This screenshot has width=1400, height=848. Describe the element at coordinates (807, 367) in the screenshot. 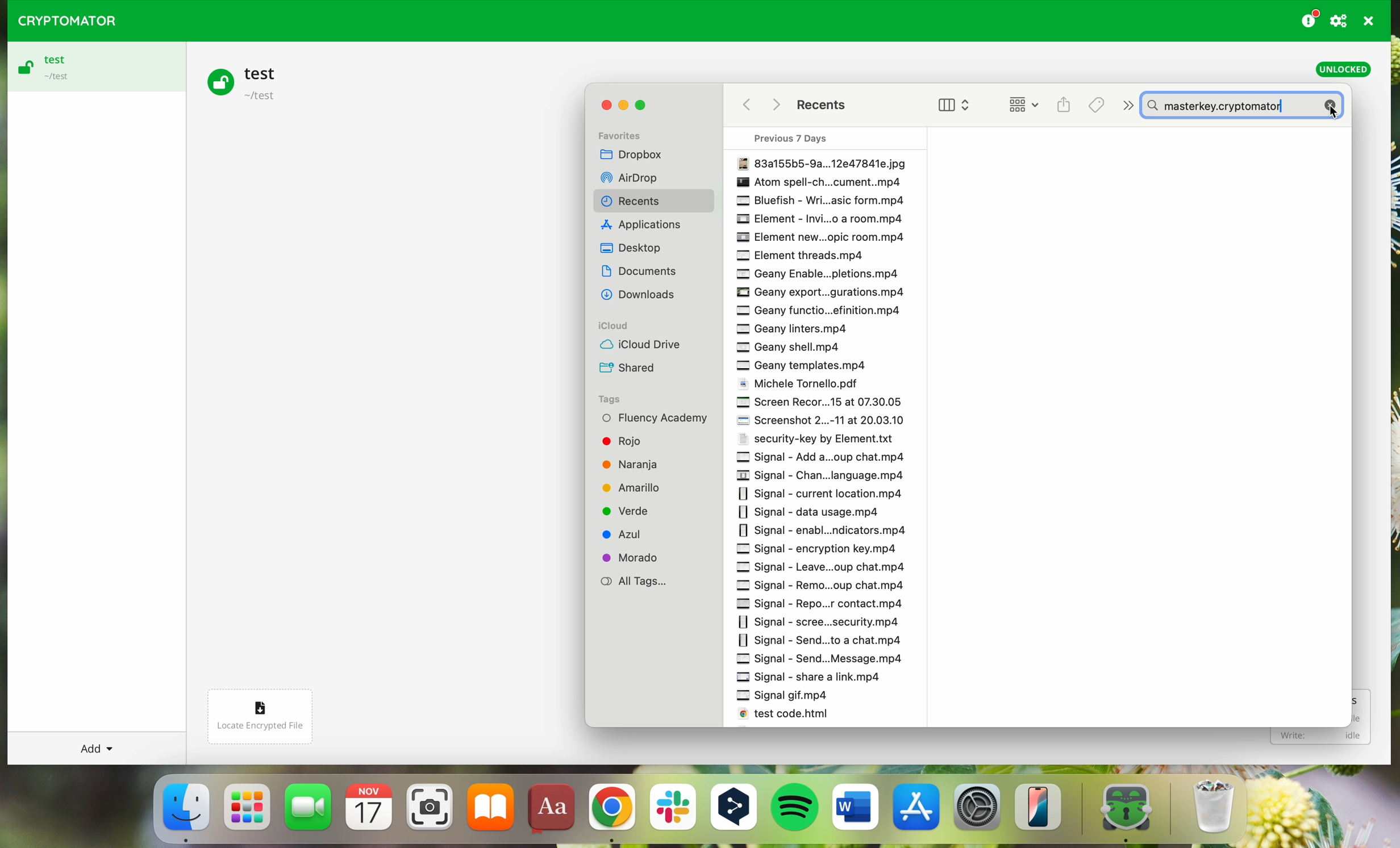

I see `Geany template` at that location.